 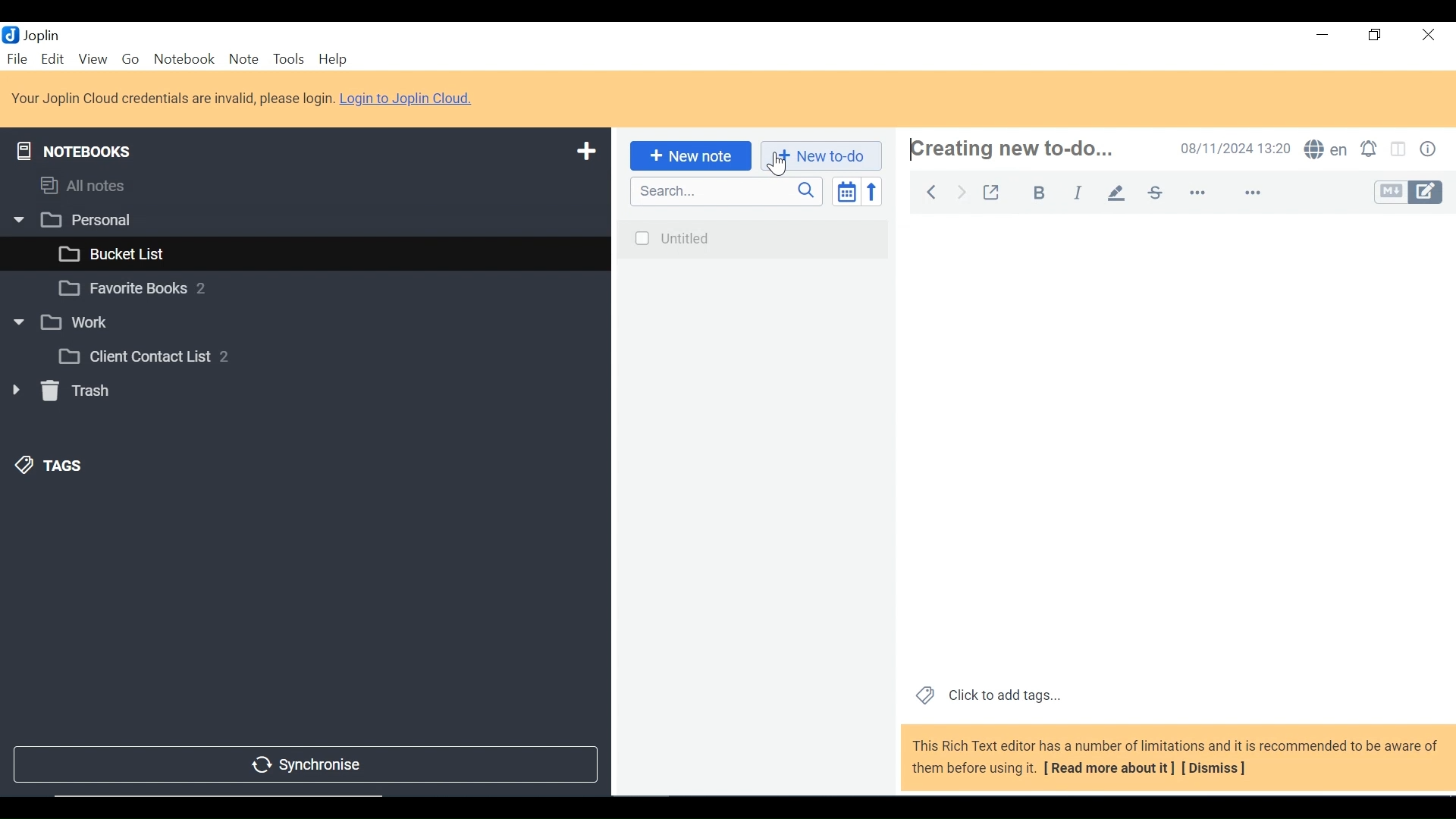 What do you see at coordinates (1078, 193) in the screenshot?
I see `Italics` at bounding box center [1078, 193].